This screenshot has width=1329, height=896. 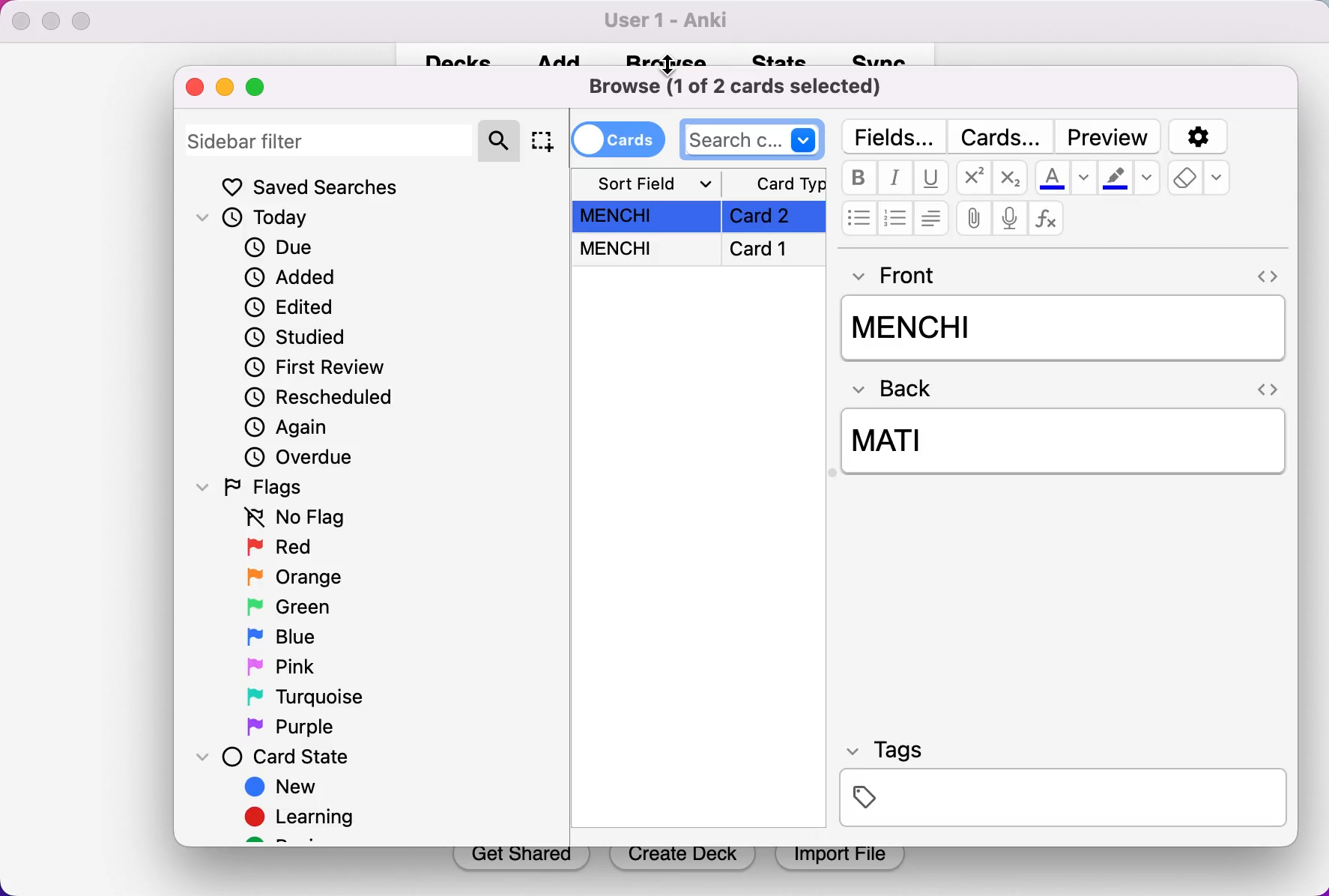 I want to click on due, so click(x=285, y=248).